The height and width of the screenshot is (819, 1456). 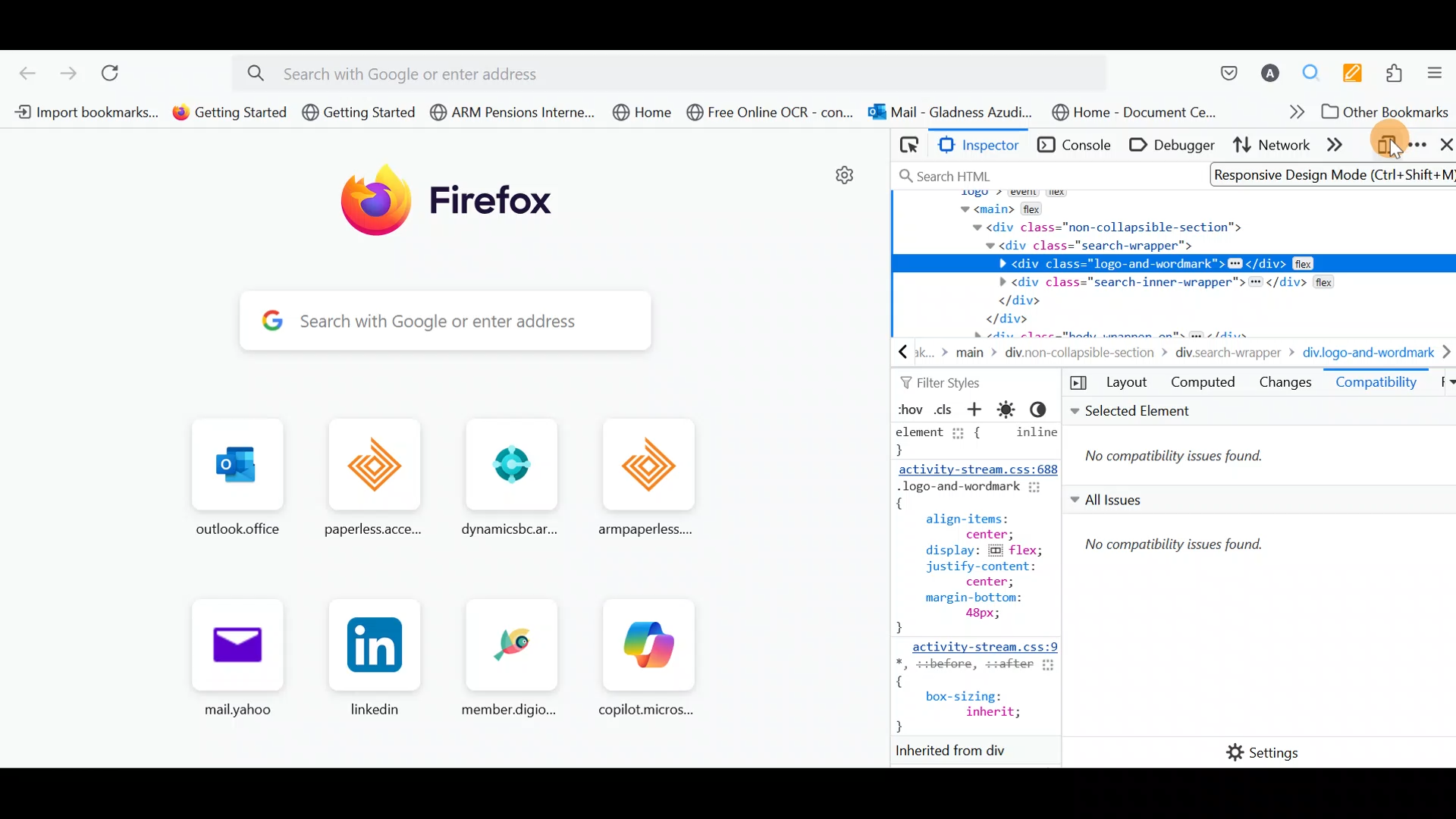 What do you see at coordinates (1441, 385) in the screenshot?
I see `Show all tabs` at bounding box center [1441, 385].